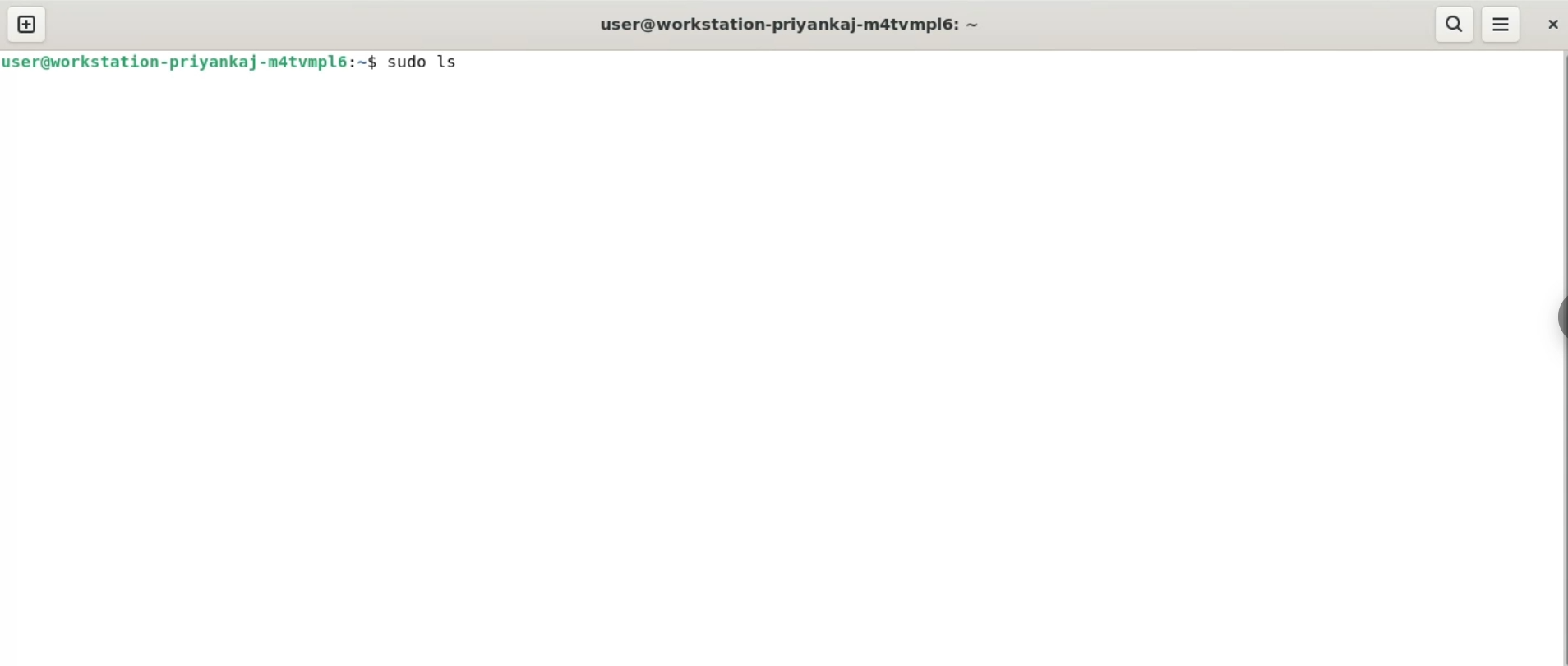 The height and width of the screenshot is (666, 1568). I want to click on title, so click(791, 25).